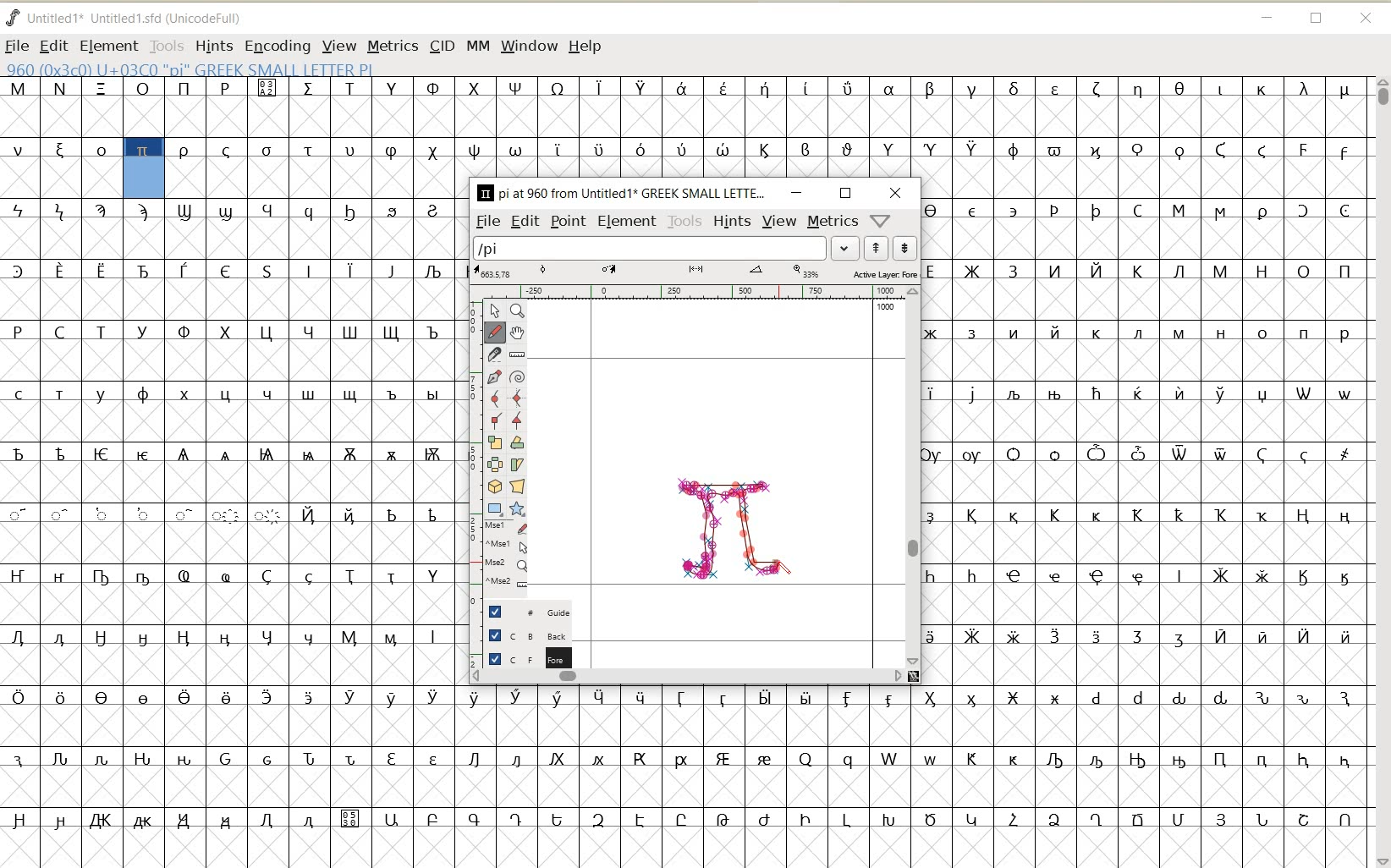 The image size is (1391, 868). I want to click on rectangle or ellipse, so click(494, 509).